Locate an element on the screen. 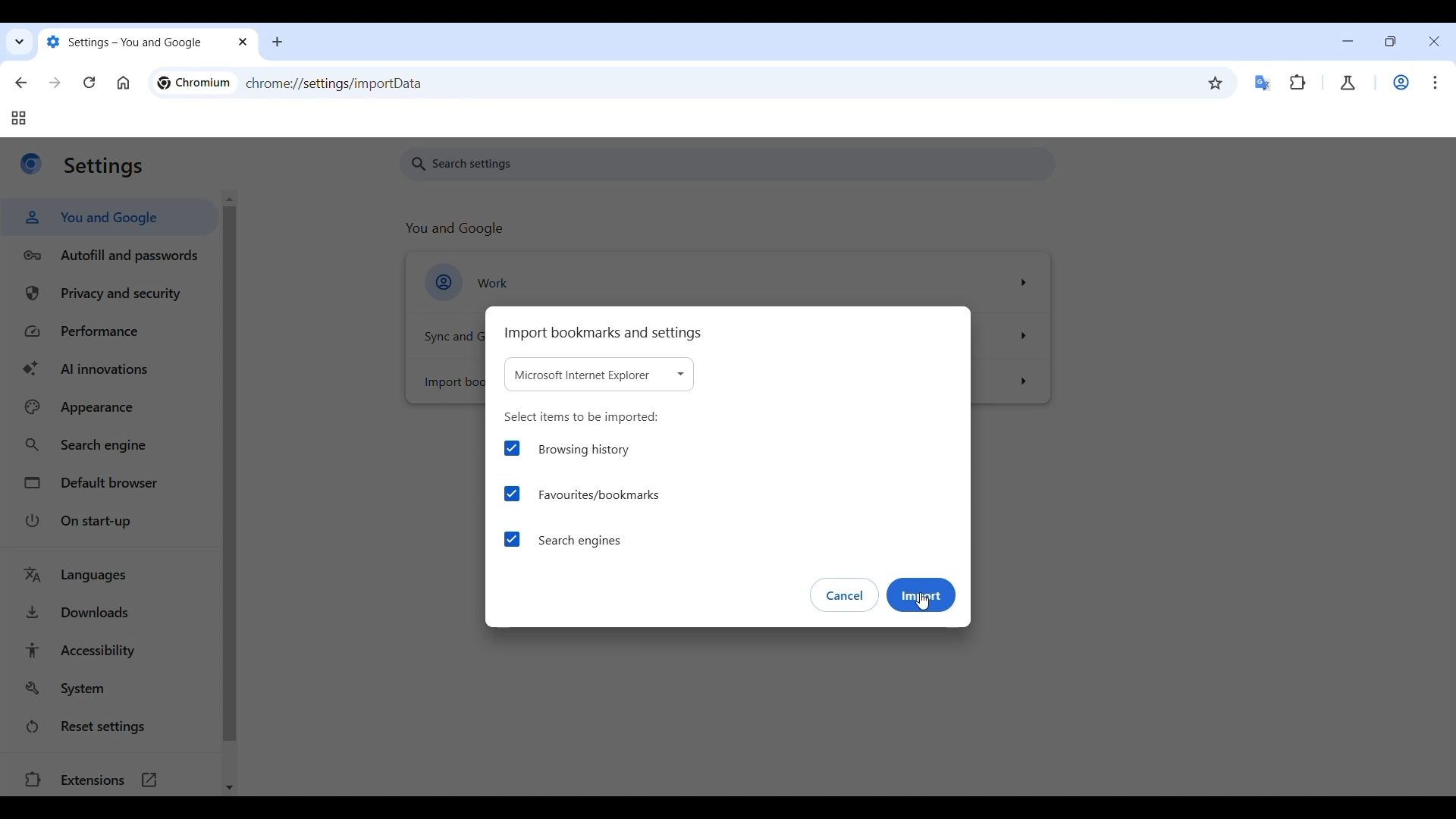 Image resolution: width=1456 pixels, height=819 pixels. Customize and control Chromium highlighted is located at coordinates (1436, 83).